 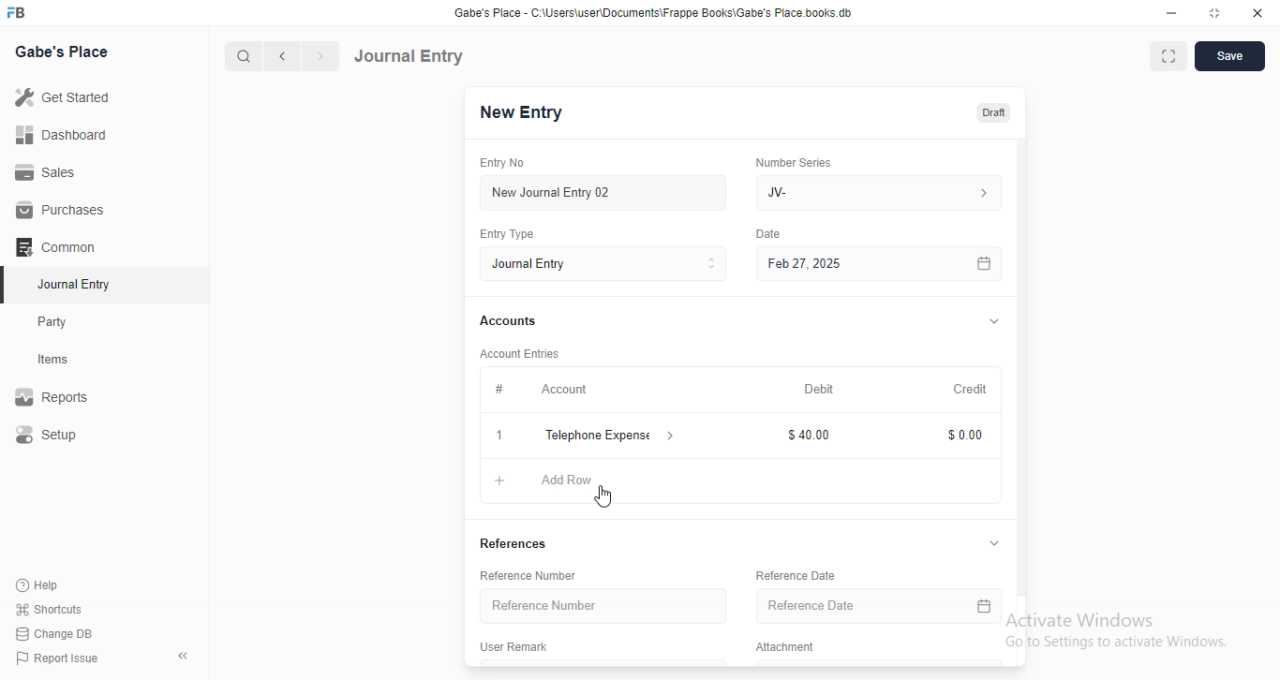 What do you see at coordinates (49, 434) in the screenshot?
I see `Setup` at bounding box center [49, 434].